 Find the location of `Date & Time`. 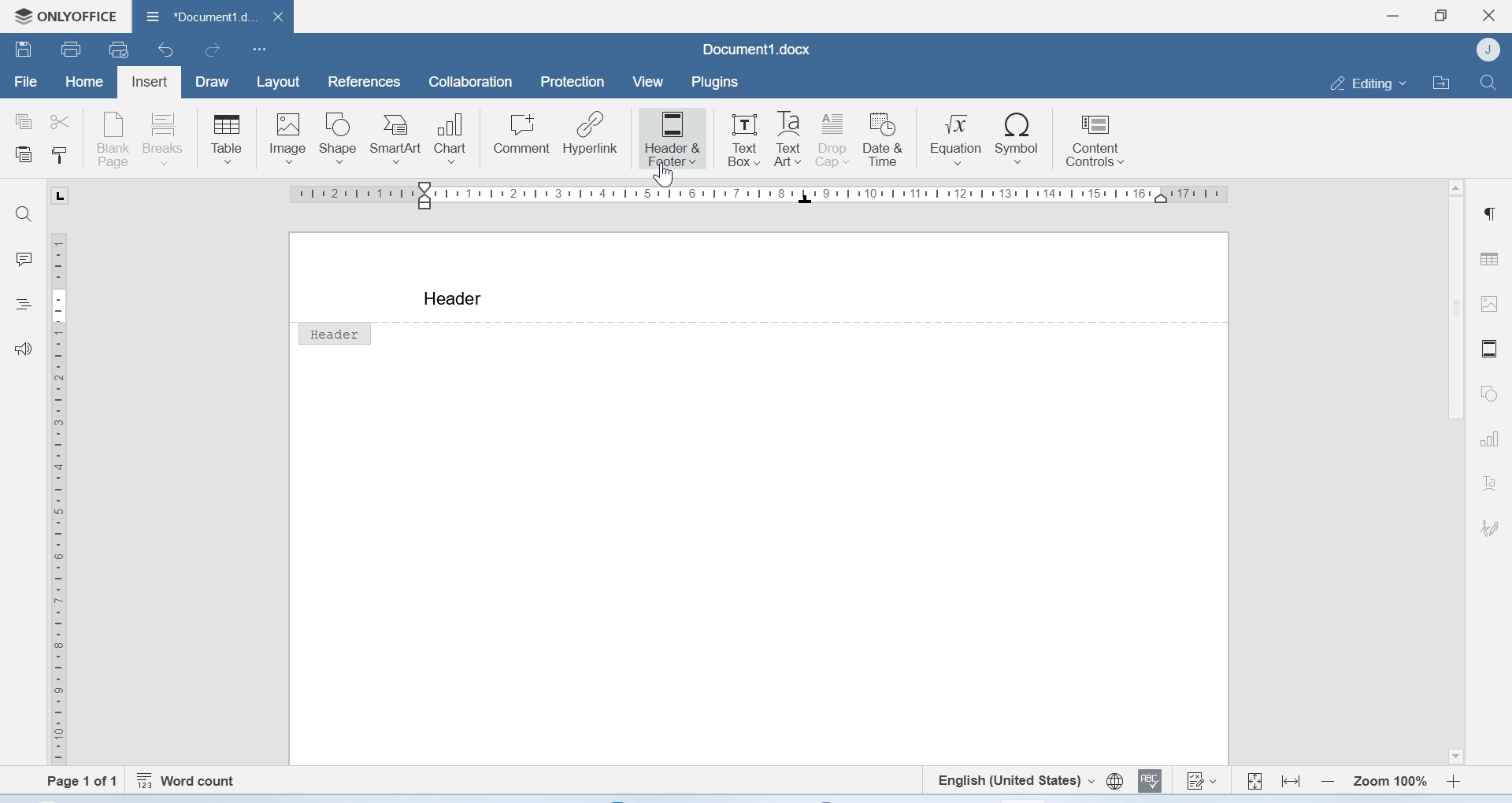

Date & Time is located at coordinates (887, 139).